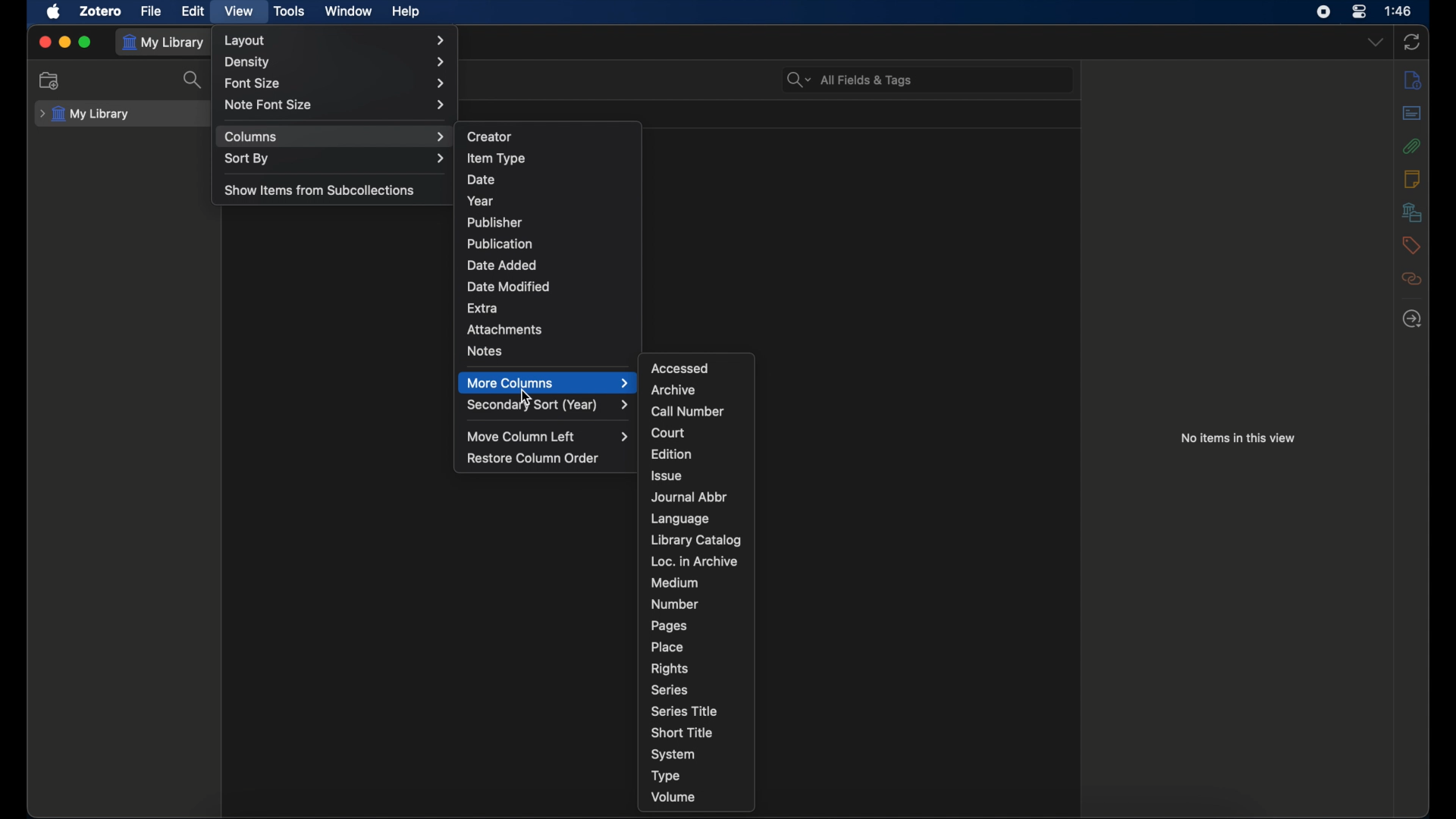  Describe the element at coordinates (675, 582) in the screenshot. I see `medium` at that location.